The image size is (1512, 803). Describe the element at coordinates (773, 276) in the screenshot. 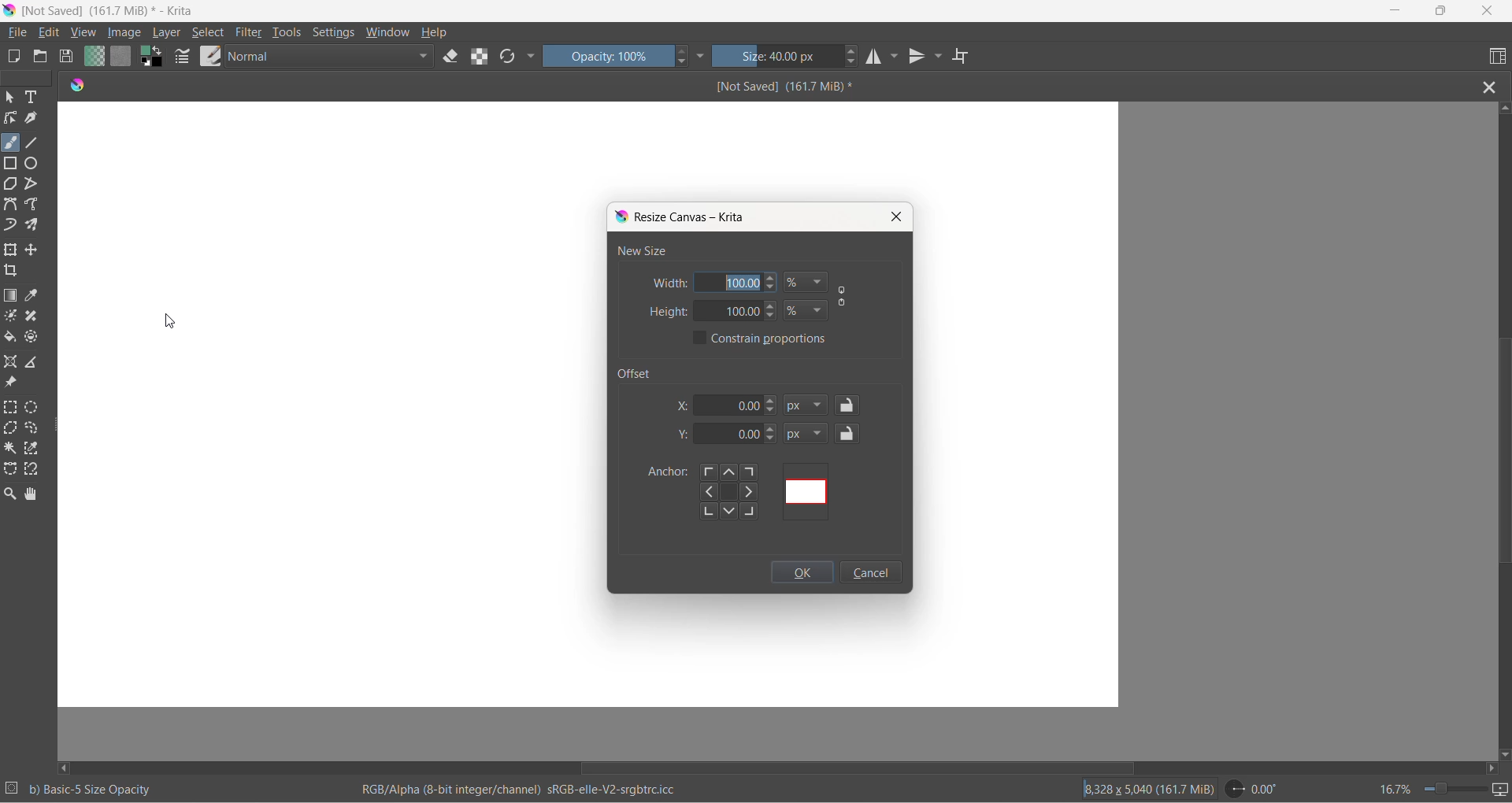

I see `increment width` at that location.